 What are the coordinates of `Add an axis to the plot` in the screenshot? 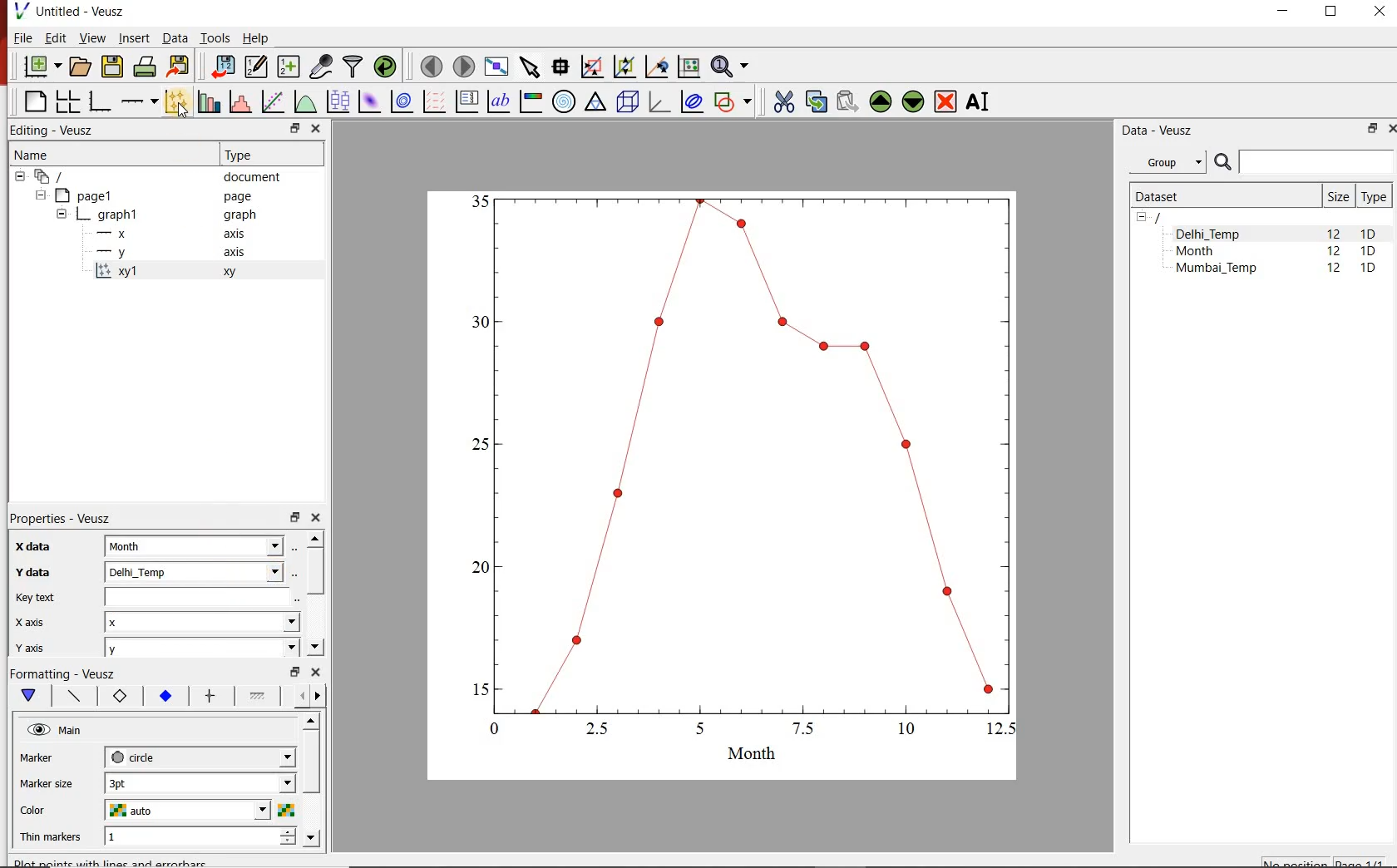 It's located at (137, 101).